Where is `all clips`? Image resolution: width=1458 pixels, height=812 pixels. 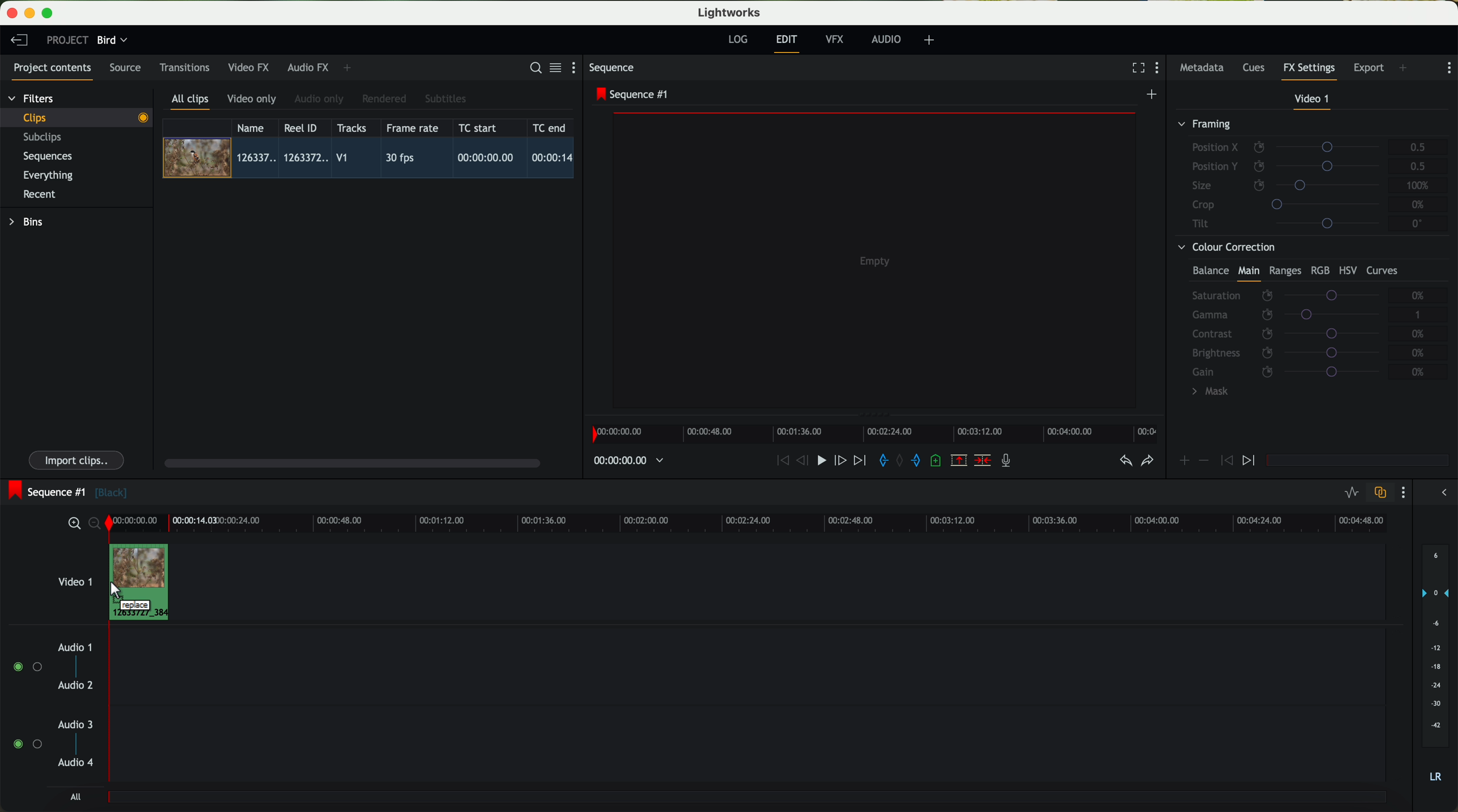 all clips is located at coordinates (191, 102).